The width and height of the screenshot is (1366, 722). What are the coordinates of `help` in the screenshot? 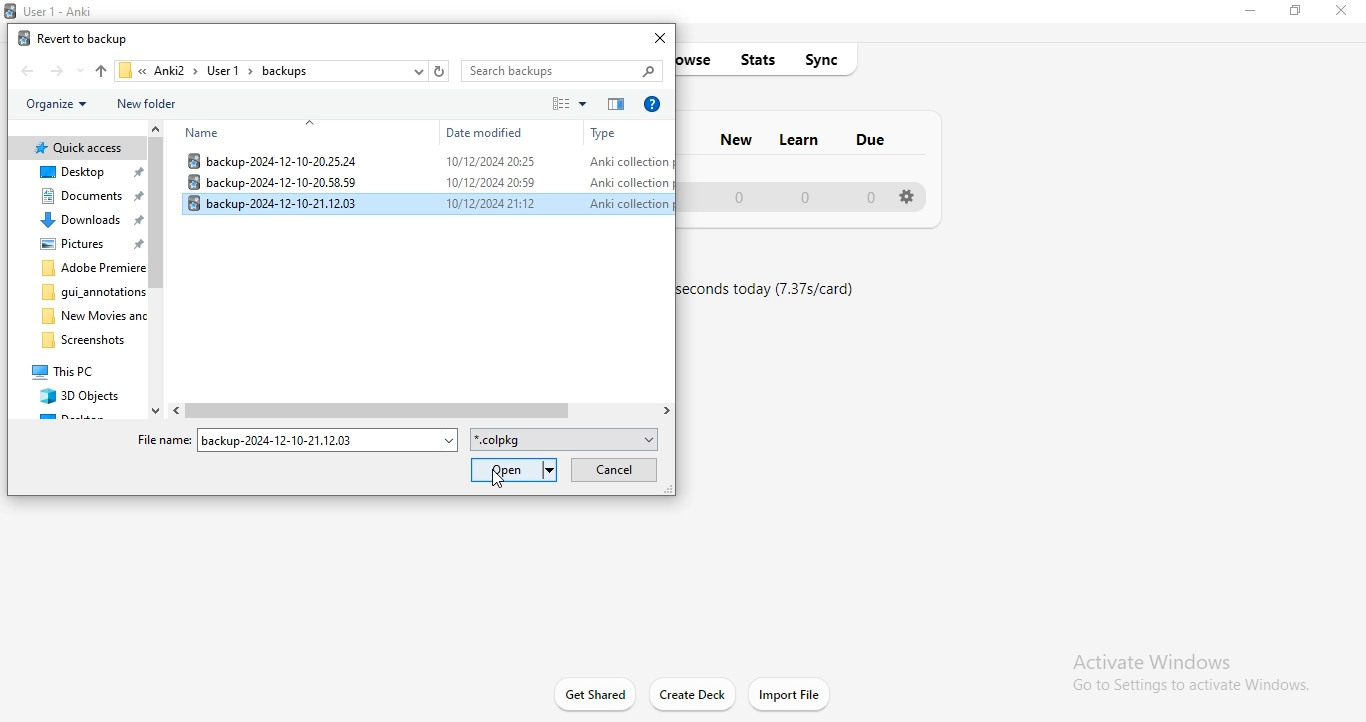 It's located at (652, 105).